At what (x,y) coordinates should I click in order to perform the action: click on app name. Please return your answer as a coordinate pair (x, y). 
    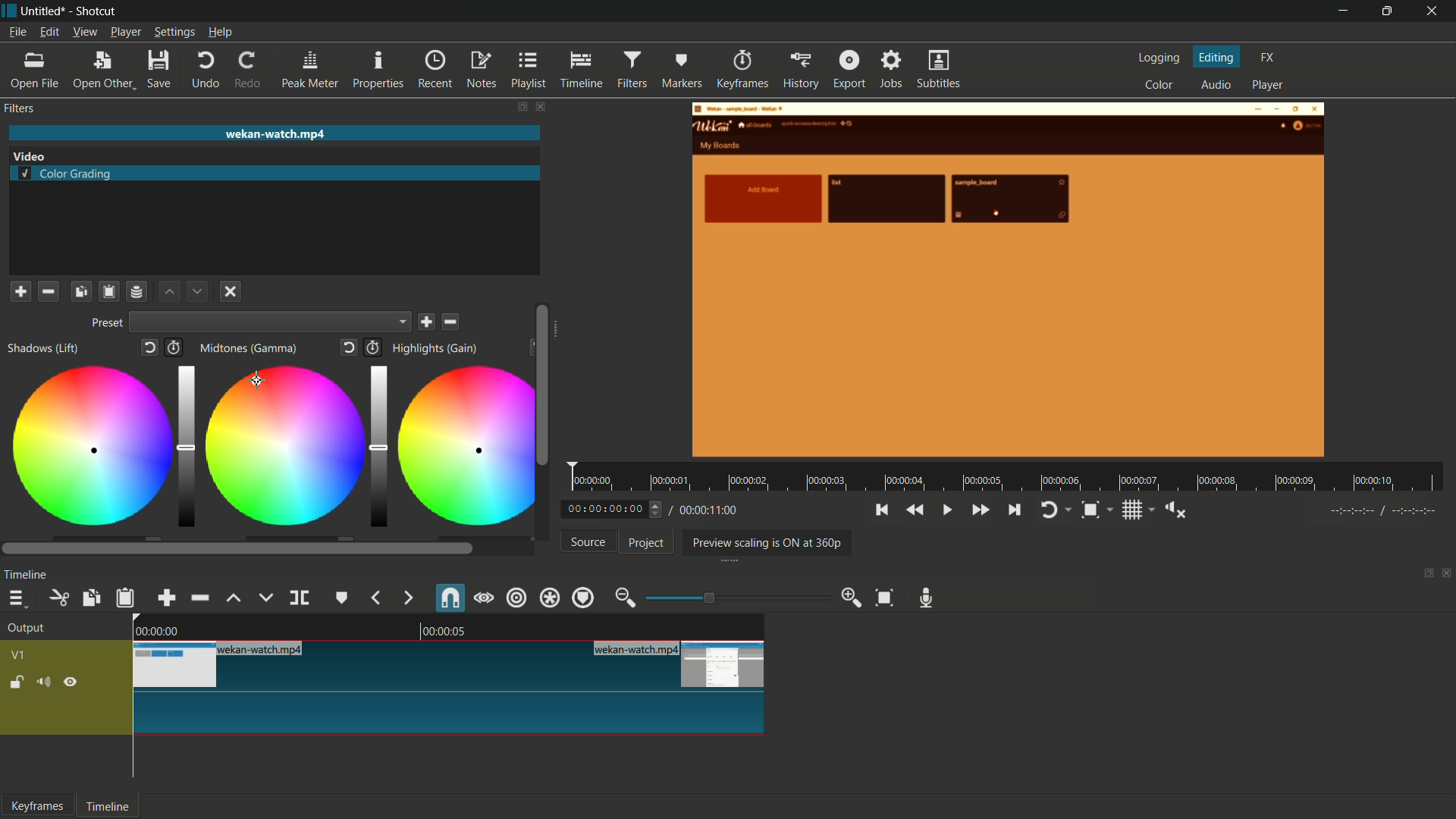
    Looking at the image, I should click on (98, 12).